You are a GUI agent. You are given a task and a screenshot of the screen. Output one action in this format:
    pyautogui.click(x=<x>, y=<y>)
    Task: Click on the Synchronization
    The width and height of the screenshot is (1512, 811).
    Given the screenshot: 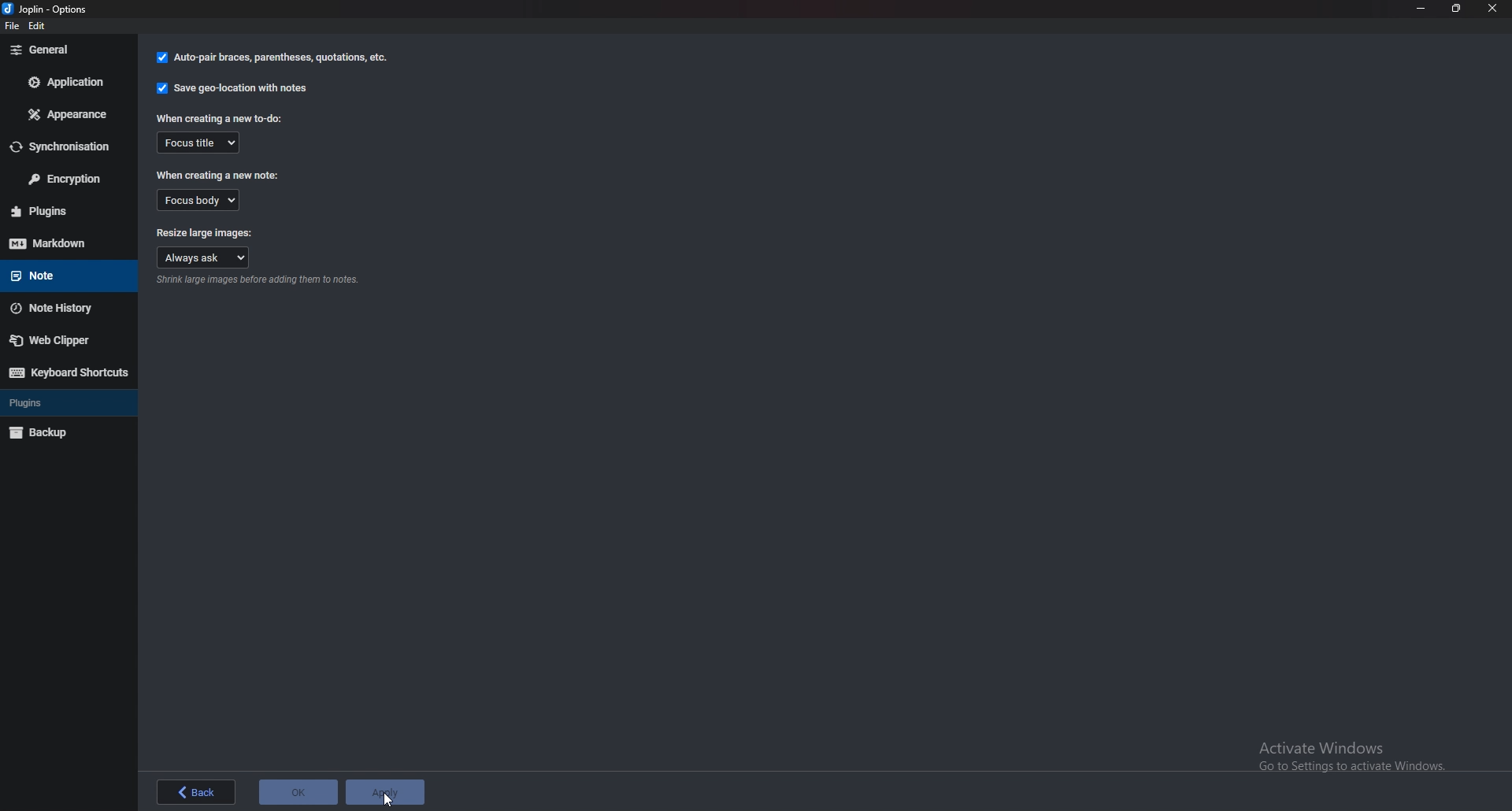 What is the action you would take?
    pyautogui.click(x=64, y=147)
    